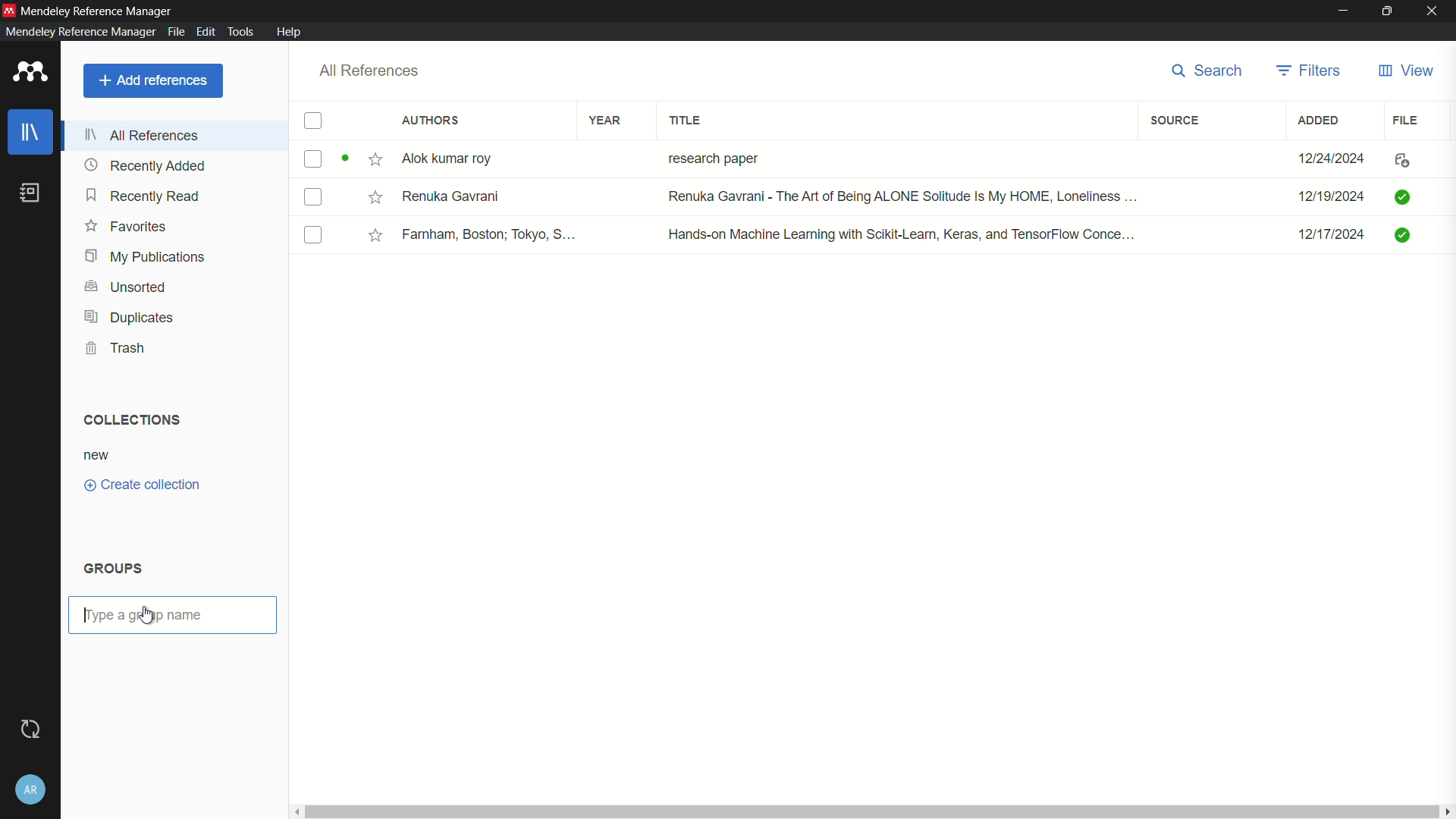 The width and height of the screenshot is (1456, 819). I want to click on reserach paper, so click(710, 155).